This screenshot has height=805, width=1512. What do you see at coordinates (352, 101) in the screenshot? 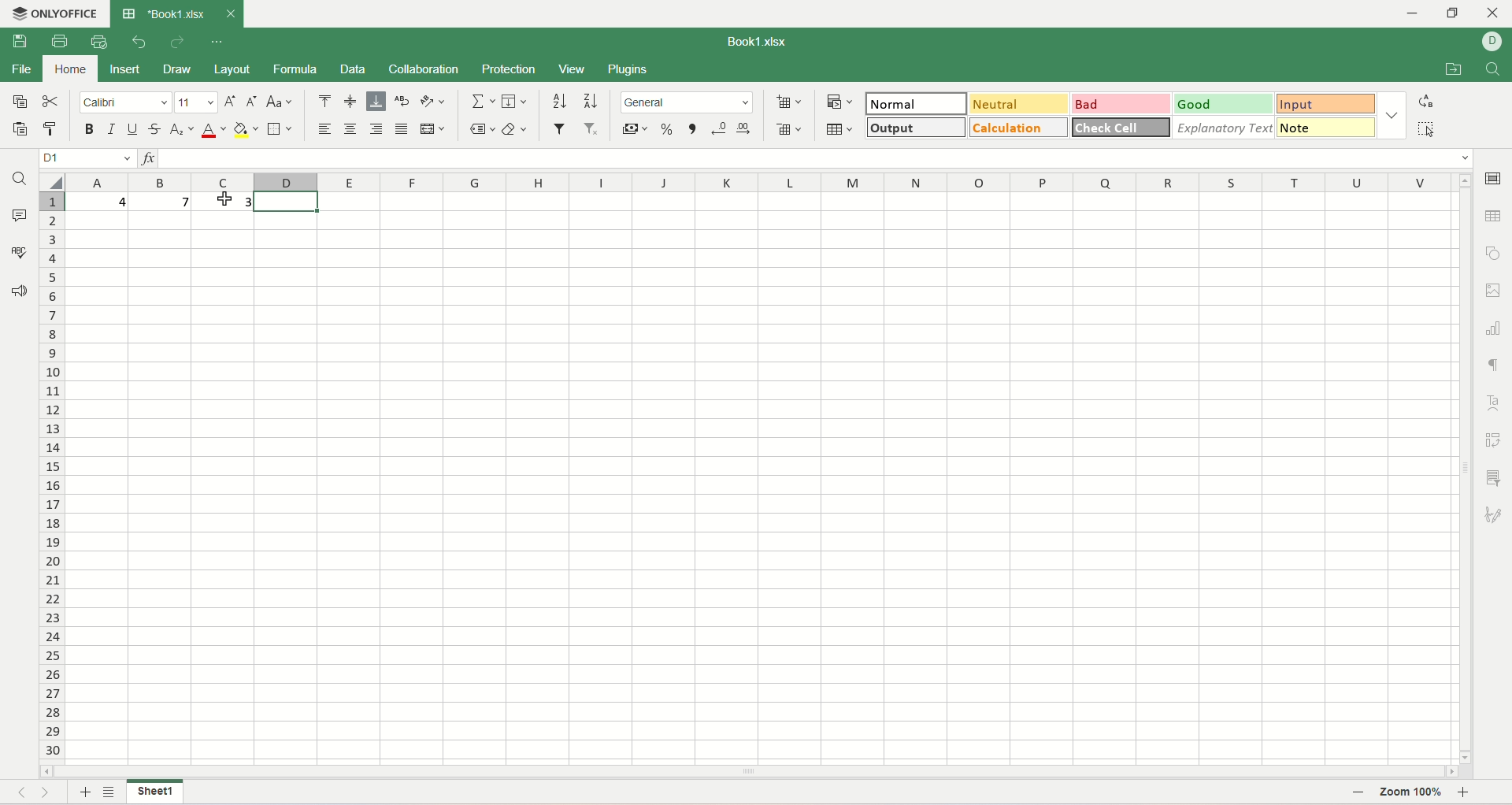
I see `align middle` at bounding box center [352, 101].